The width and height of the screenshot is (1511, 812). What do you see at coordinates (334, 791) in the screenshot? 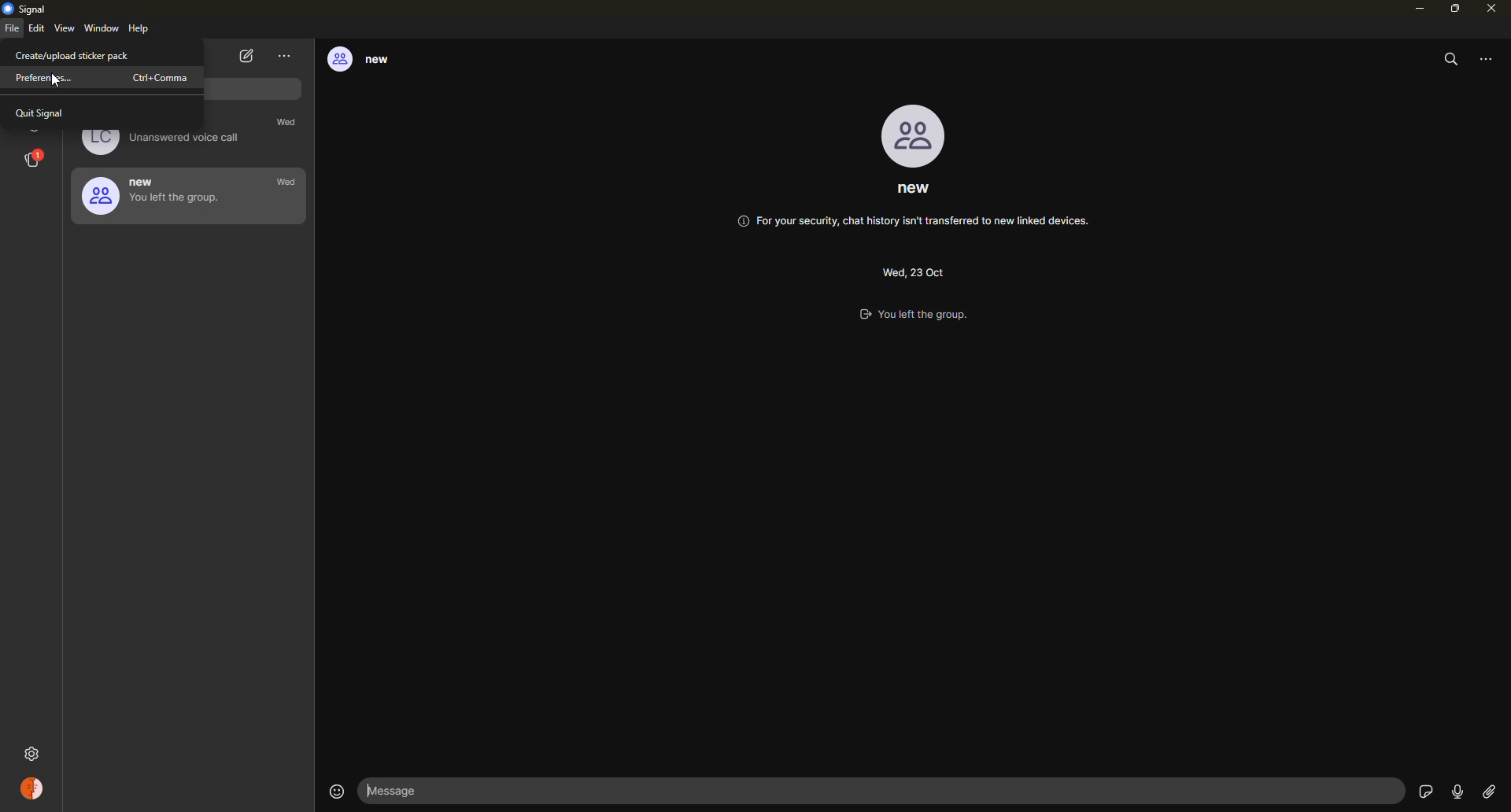
I see `smilley` at bounding box center [334, 791].